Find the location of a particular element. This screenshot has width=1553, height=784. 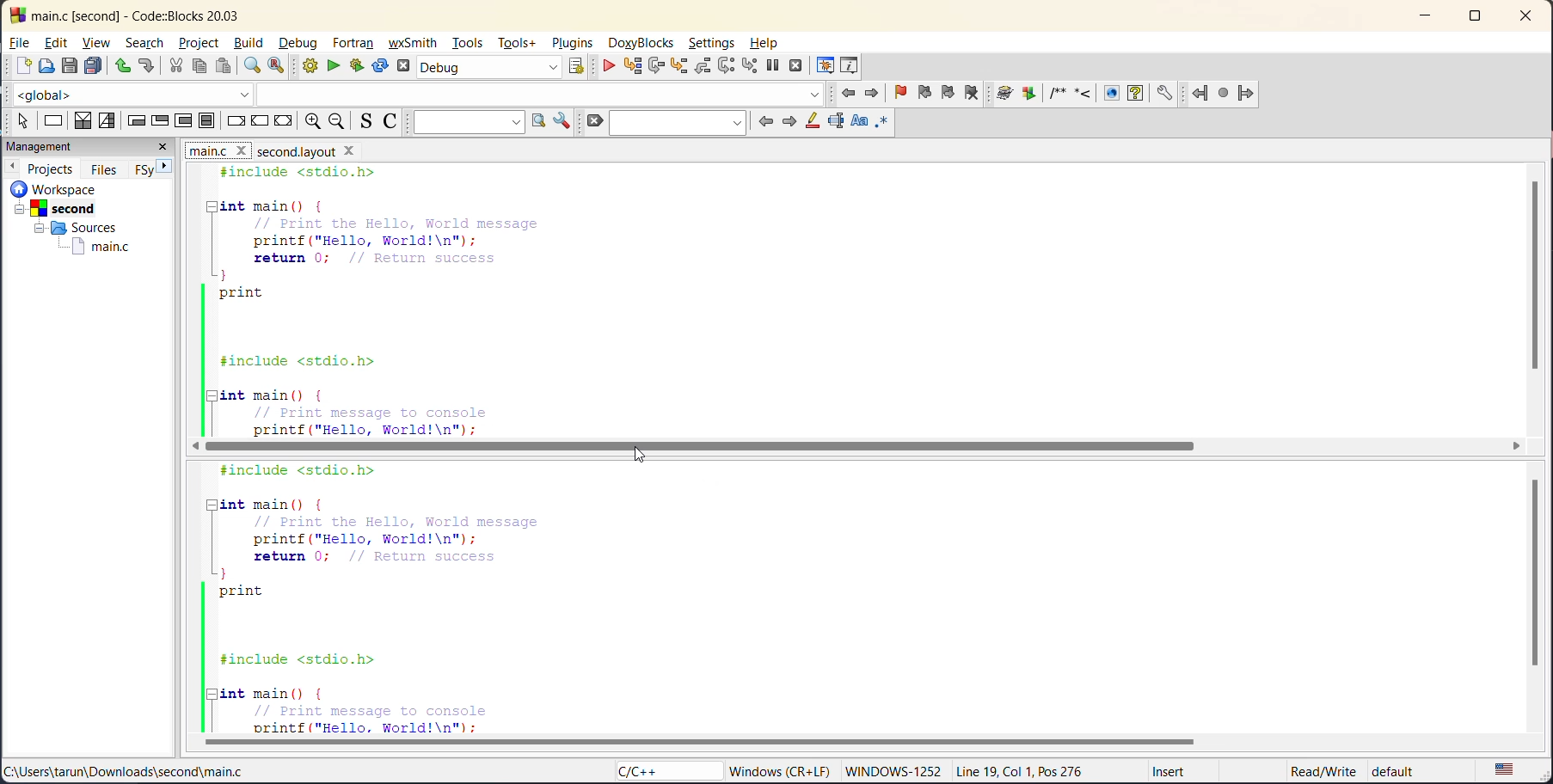

management is located at coordinates (40, 147).